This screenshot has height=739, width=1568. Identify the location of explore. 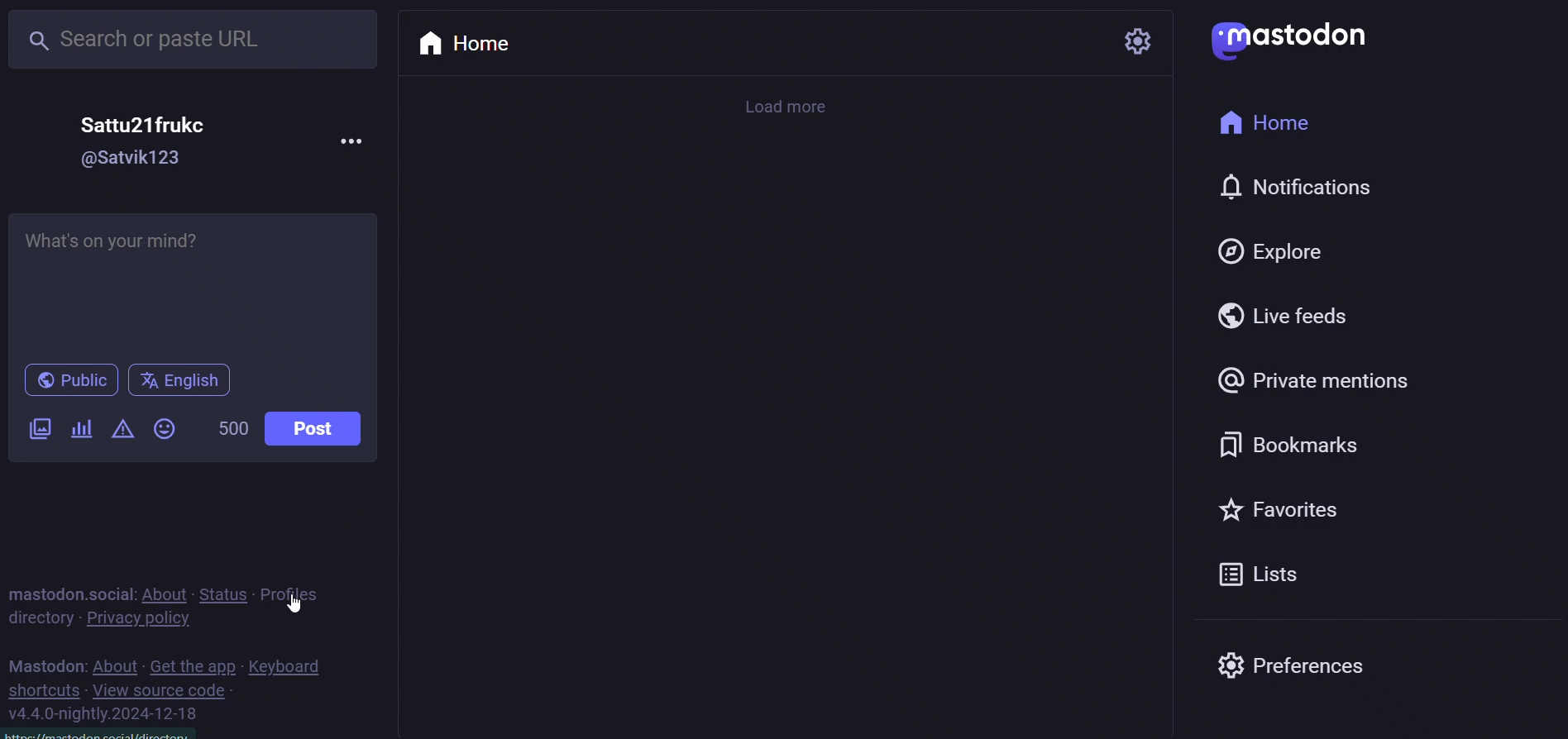
(1275, 250).